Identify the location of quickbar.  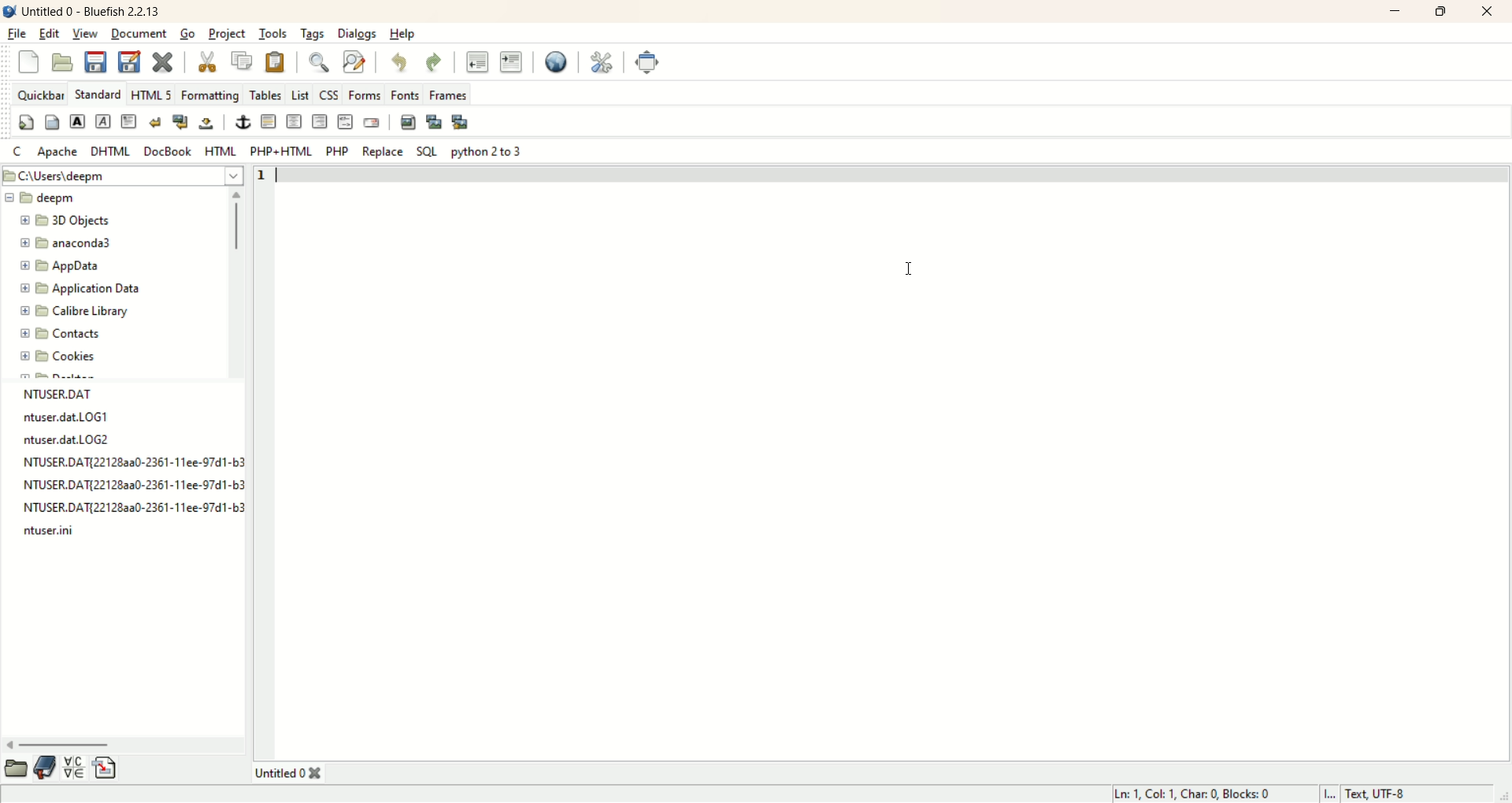
(42, 95).